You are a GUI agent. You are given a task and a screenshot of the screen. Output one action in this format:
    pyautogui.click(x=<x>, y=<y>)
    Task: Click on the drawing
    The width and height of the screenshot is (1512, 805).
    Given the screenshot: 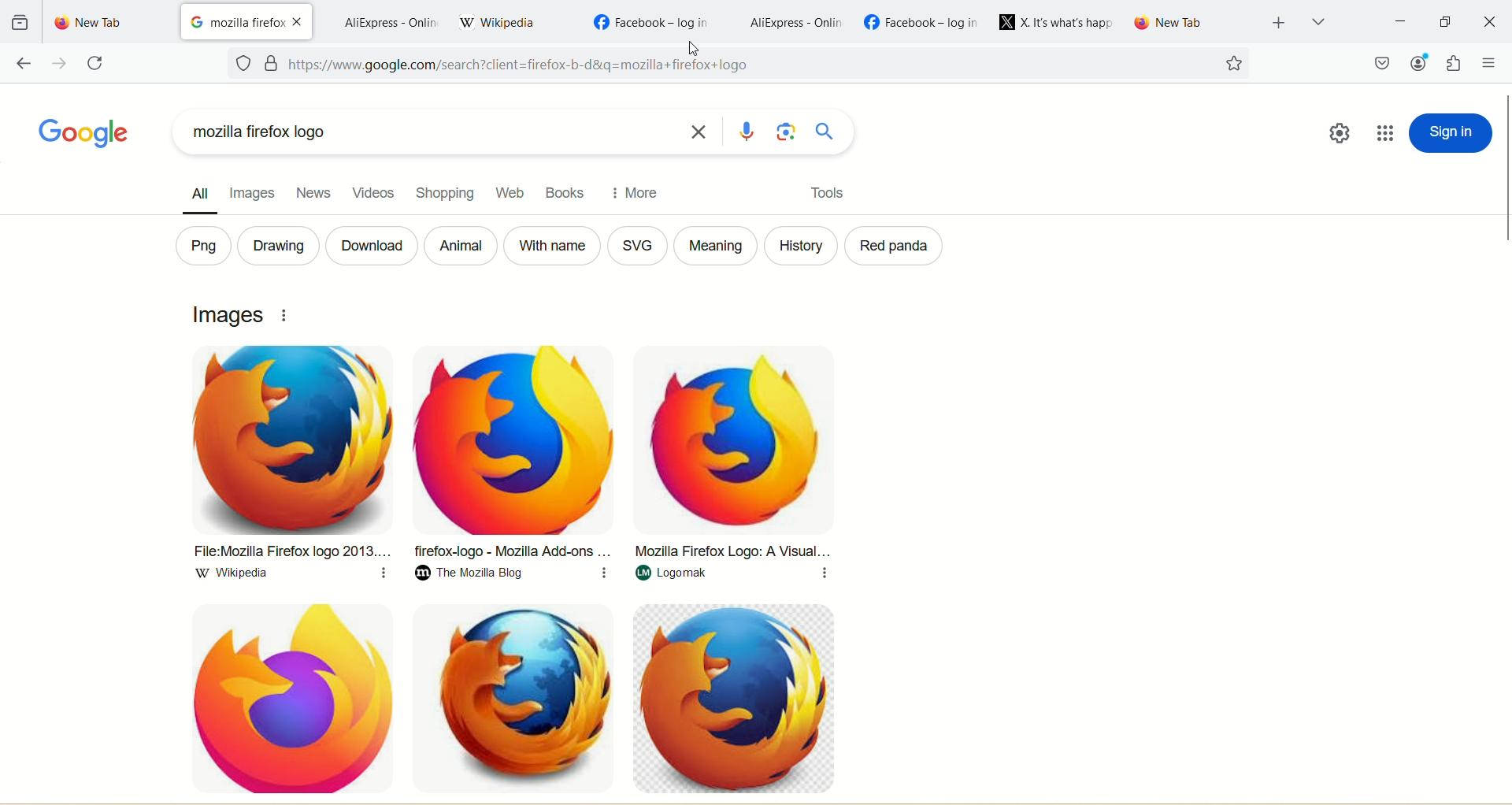 What is the action you would take?
    pyautogui.click(x=276, y=247)
    